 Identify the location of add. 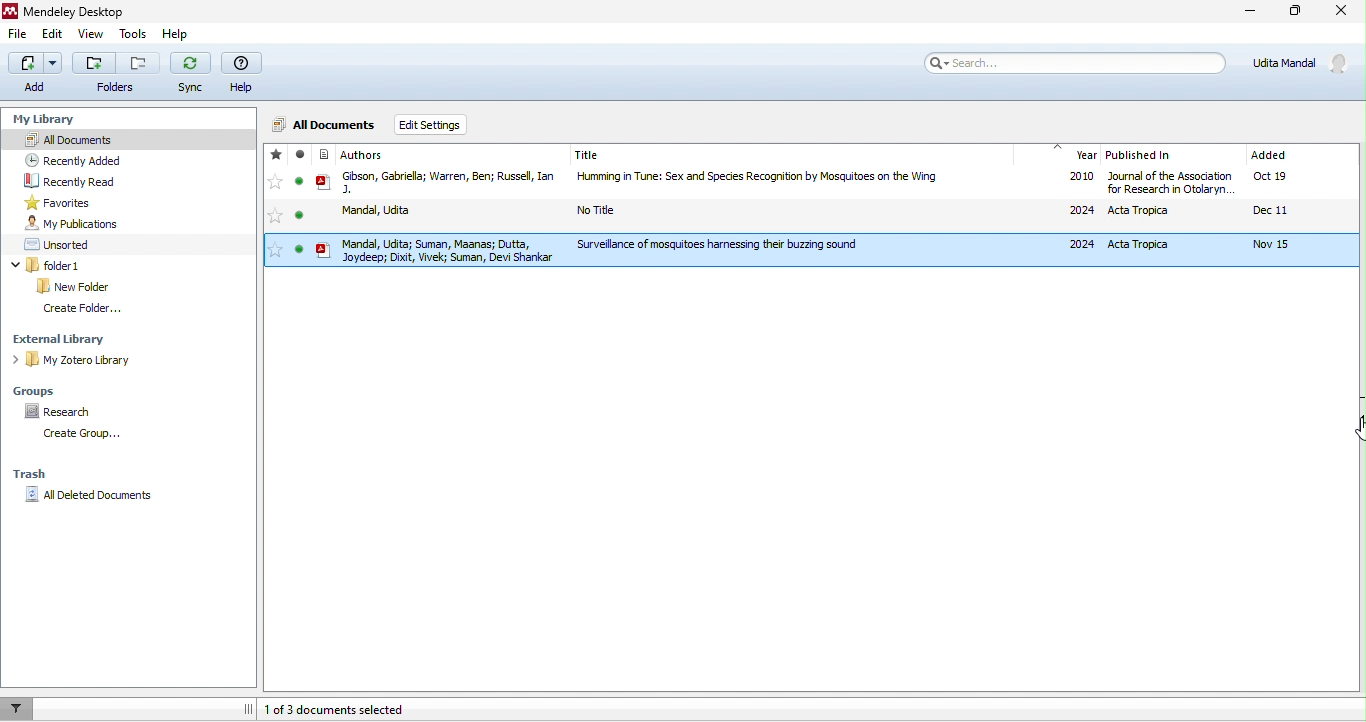
(36, 75).